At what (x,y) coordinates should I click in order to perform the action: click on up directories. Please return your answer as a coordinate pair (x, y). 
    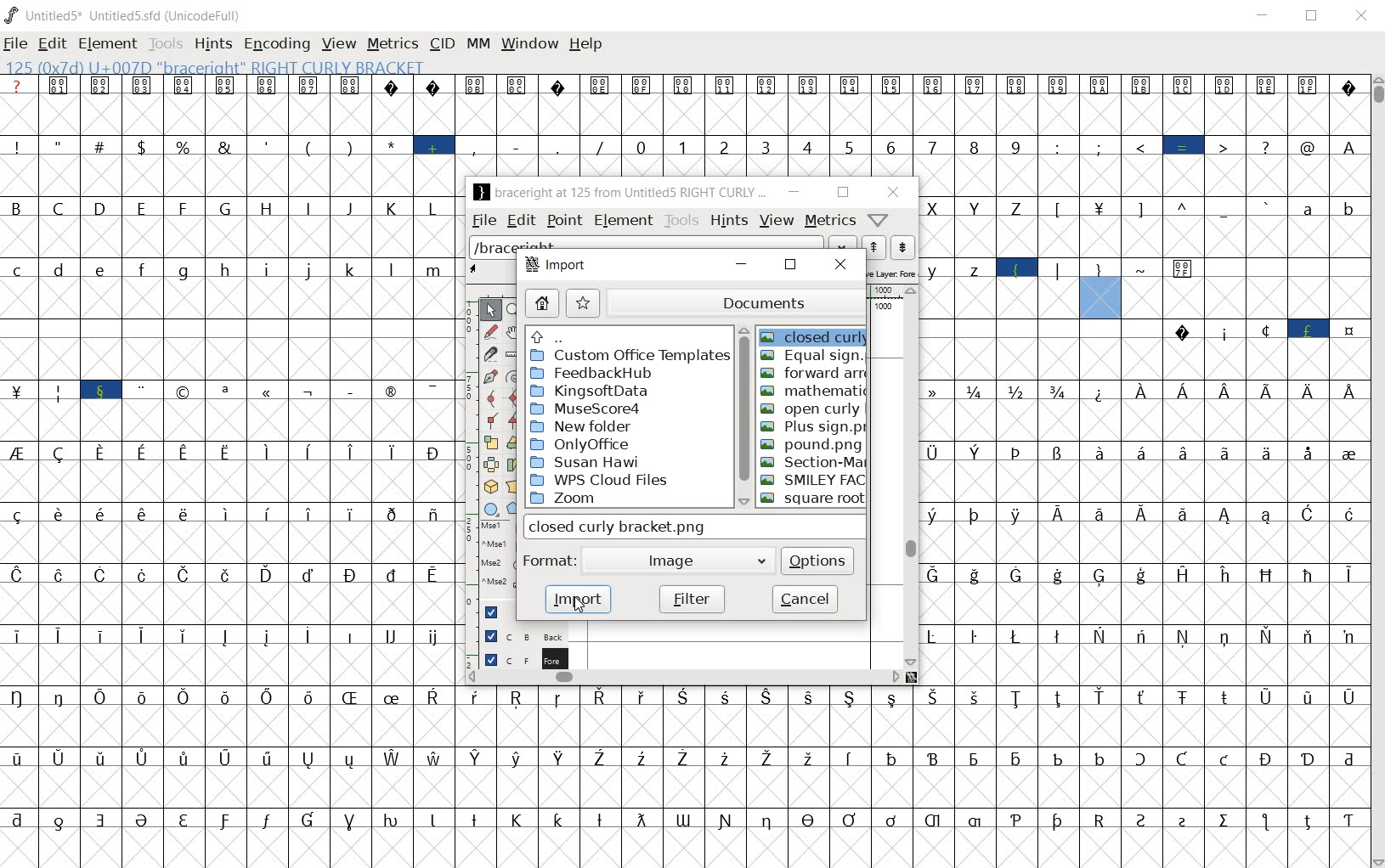
    Looking at the image, I should click on (628, 339).